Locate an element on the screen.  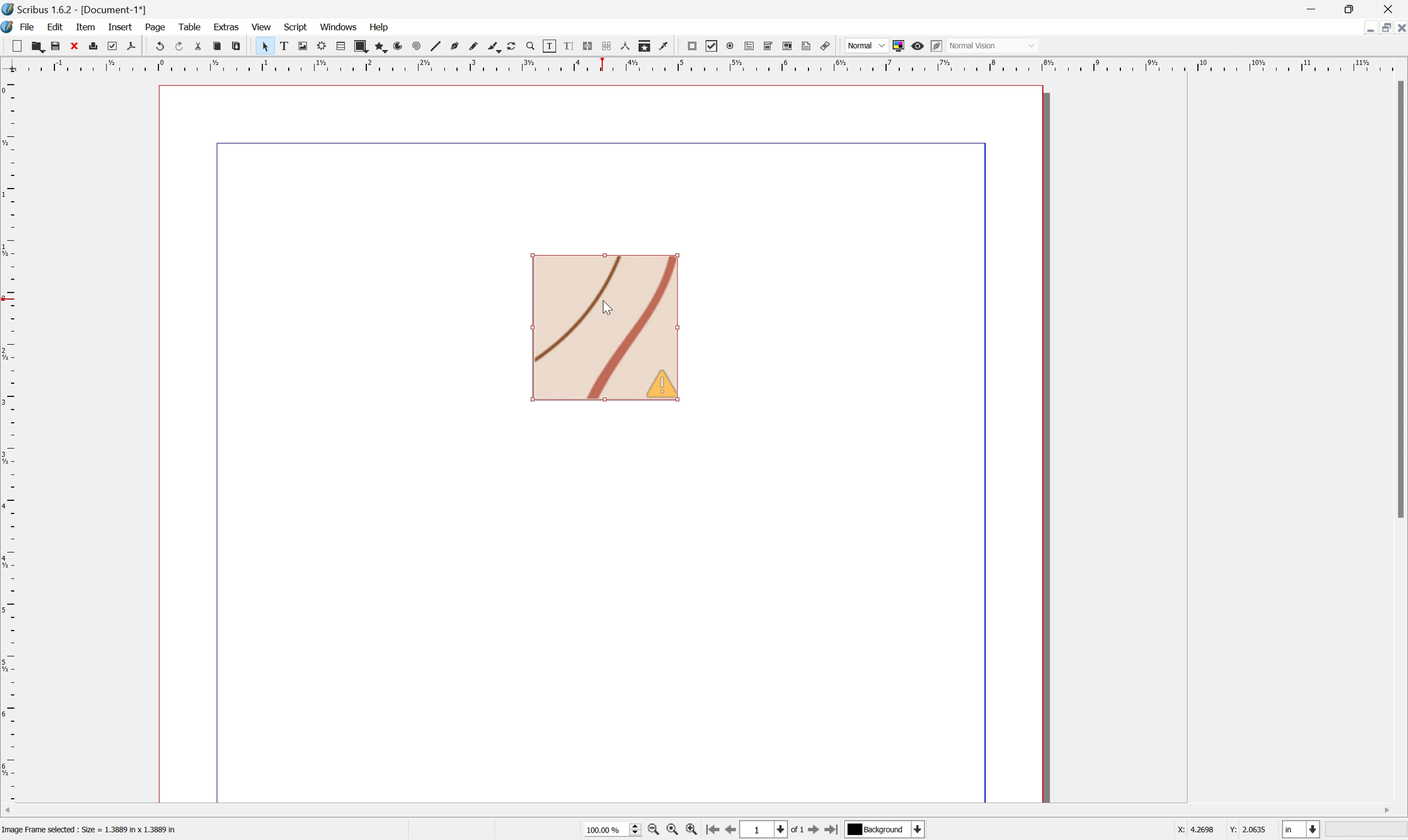
Go to the previous page is located at coordinates (735, 830).